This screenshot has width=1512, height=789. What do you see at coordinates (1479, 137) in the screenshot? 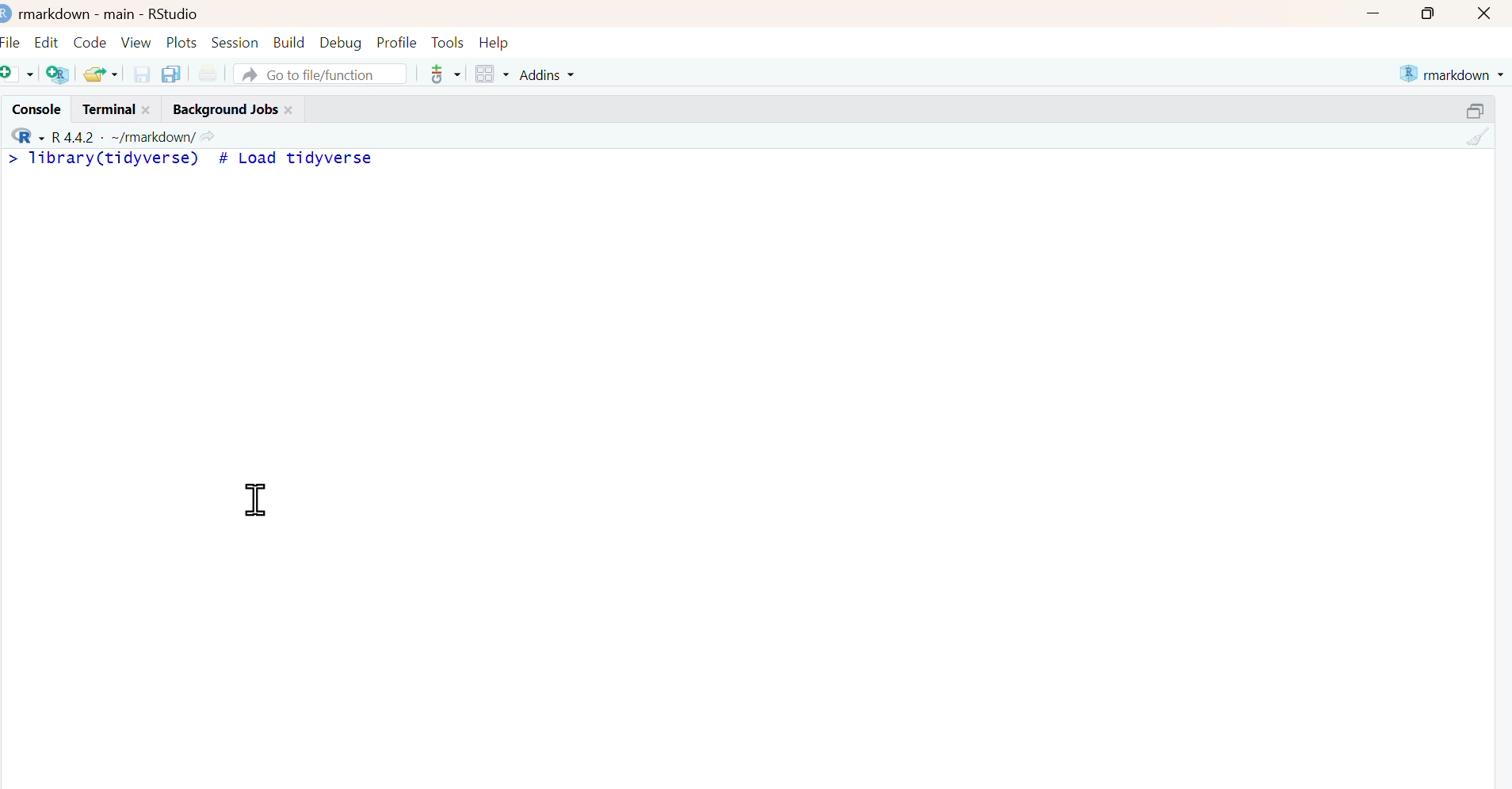
I see `clear console` at bounding box center [1479, 137].